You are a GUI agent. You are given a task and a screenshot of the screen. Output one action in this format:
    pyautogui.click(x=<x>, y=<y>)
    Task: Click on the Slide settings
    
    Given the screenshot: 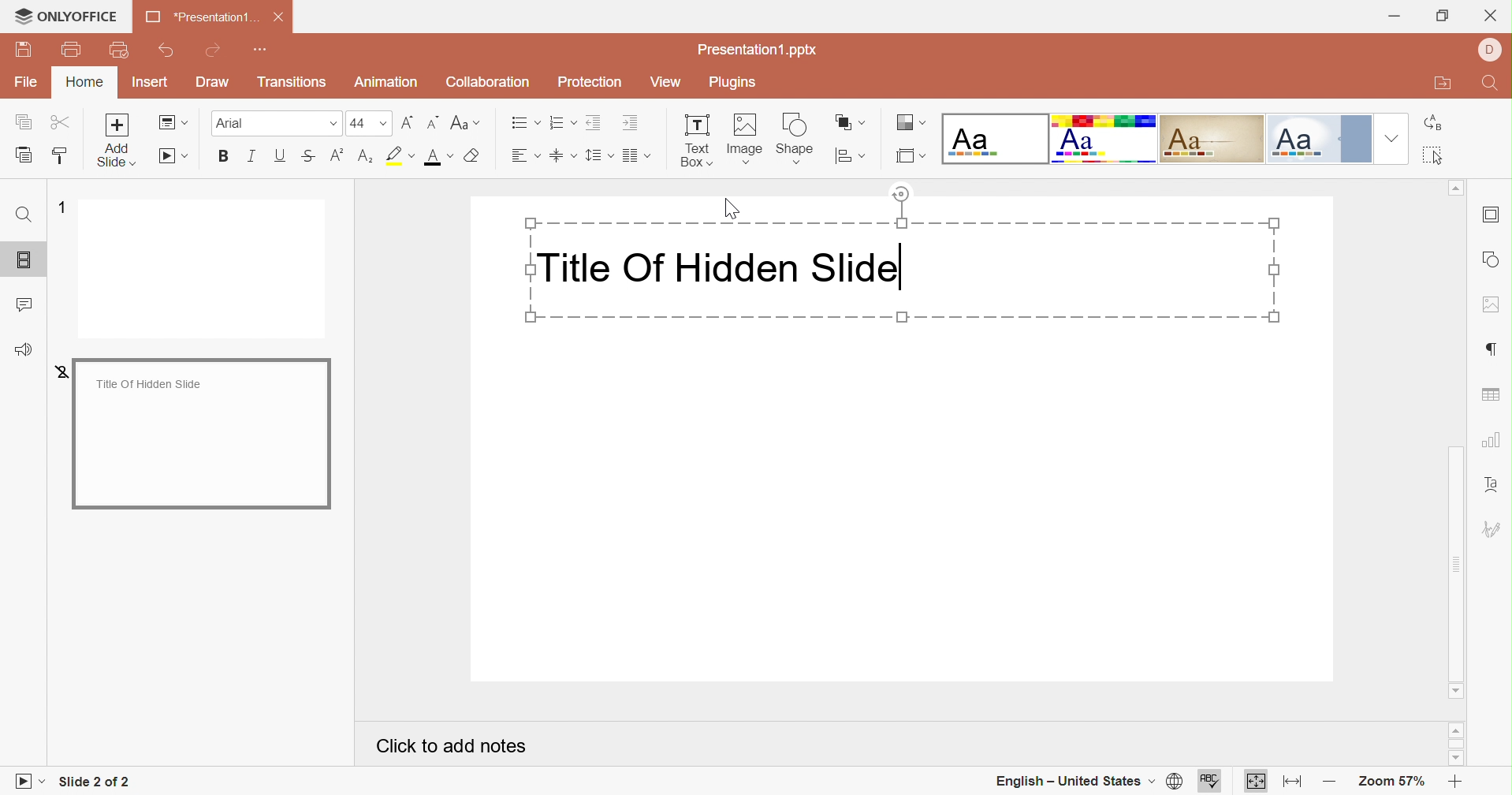 What is the action you would take?
    pyautogui.click(x=1492, y=216)
    